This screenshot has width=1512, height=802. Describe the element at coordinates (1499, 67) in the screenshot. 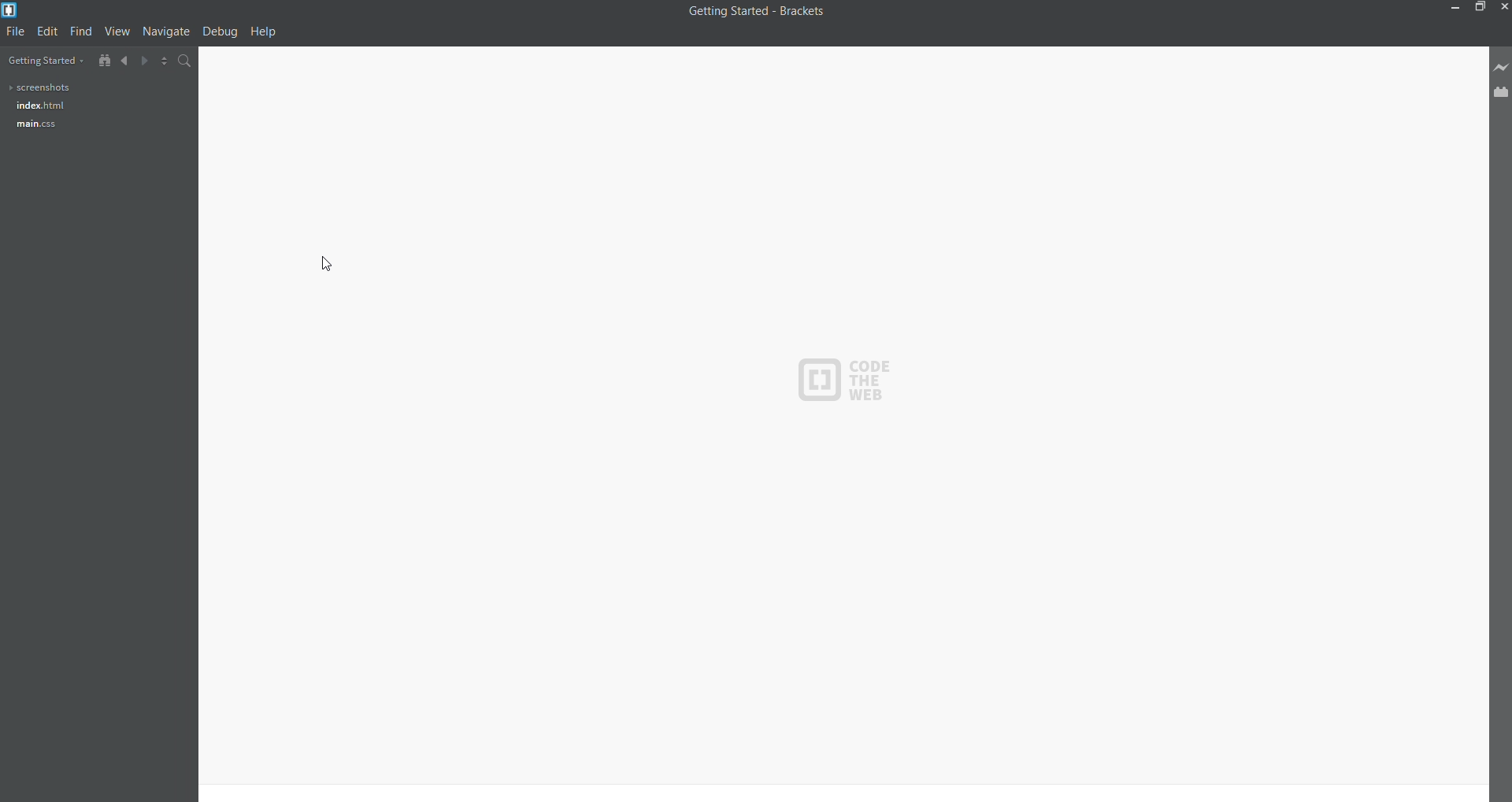

I see `live preview` at that location.